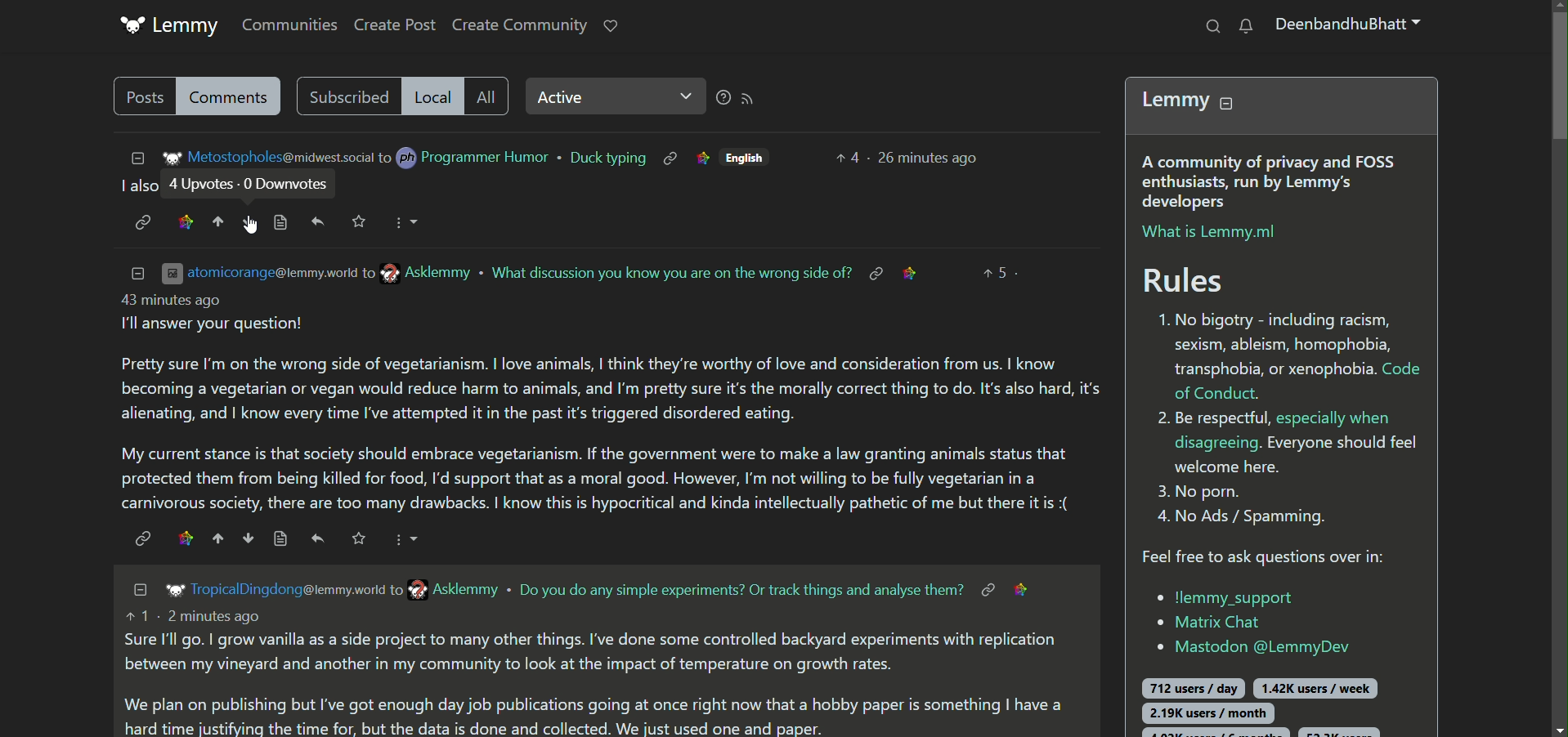 This screenshot has width=1568, height=737. I want to click on text, so click(741, 590).